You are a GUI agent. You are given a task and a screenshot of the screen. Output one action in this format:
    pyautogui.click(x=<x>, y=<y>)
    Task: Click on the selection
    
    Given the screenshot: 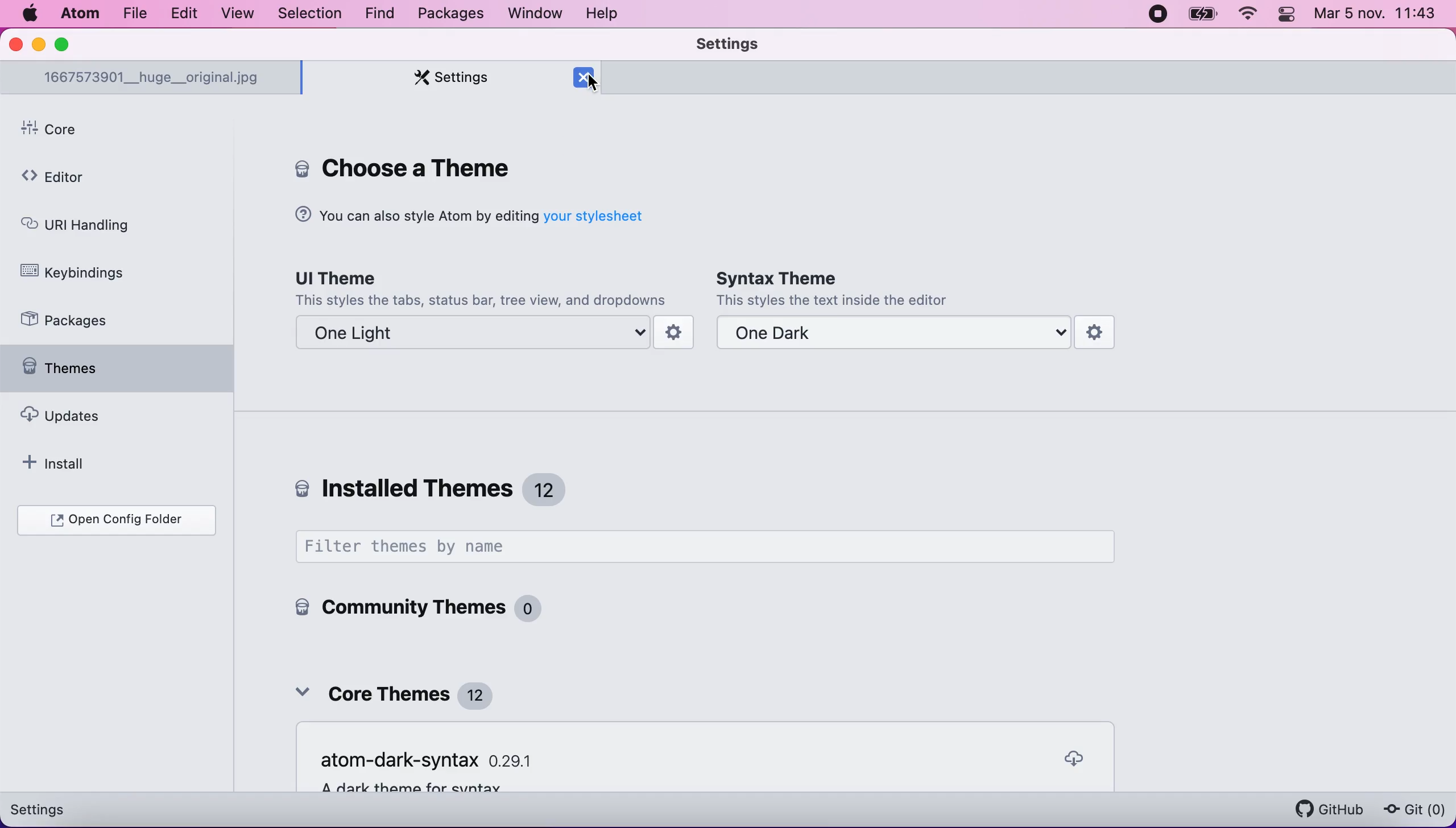 What is the action you would take?
    pyautogui.click(x=308, y=14)
    